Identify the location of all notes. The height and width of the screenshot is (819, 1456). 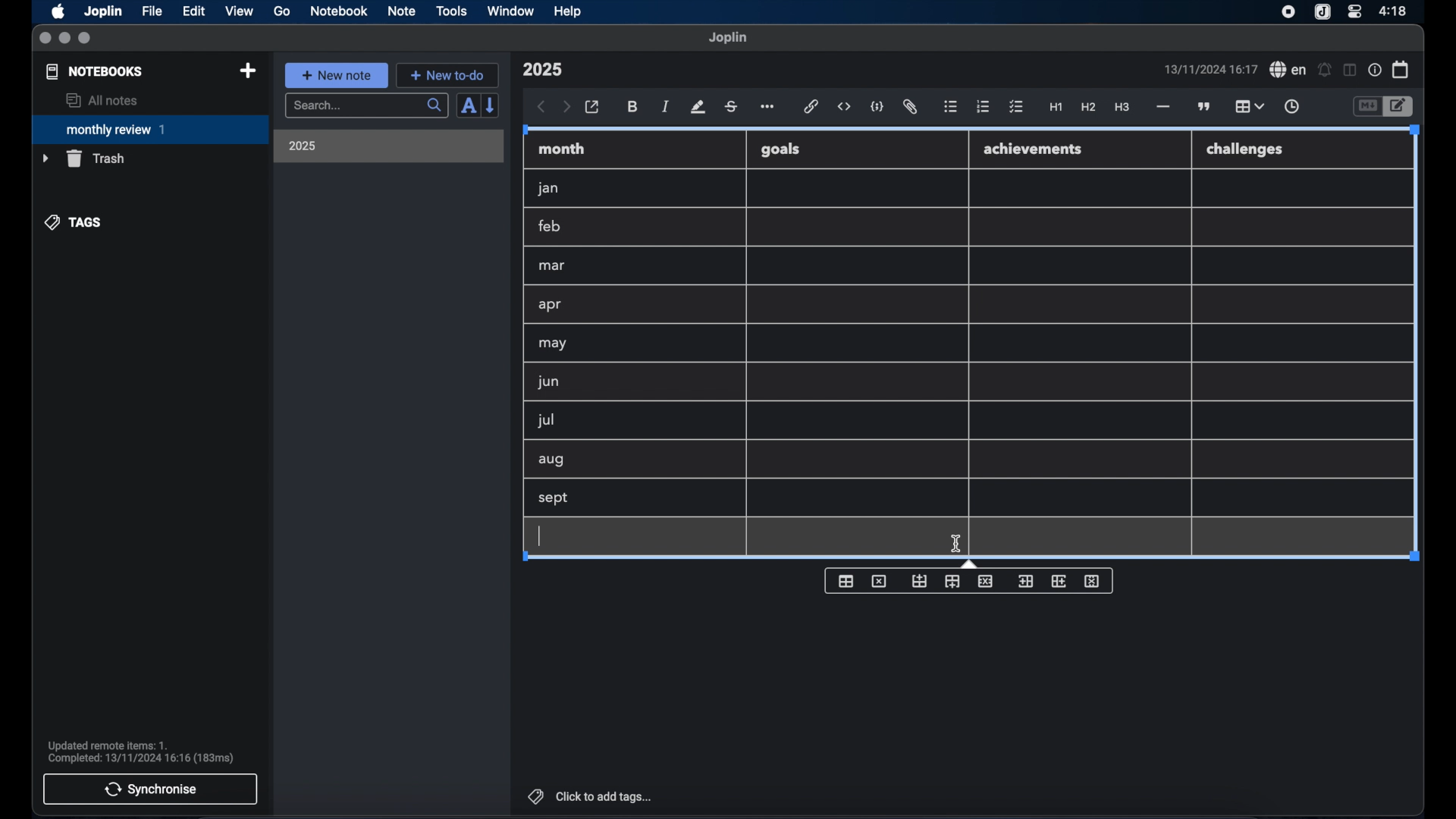
(102, 100).